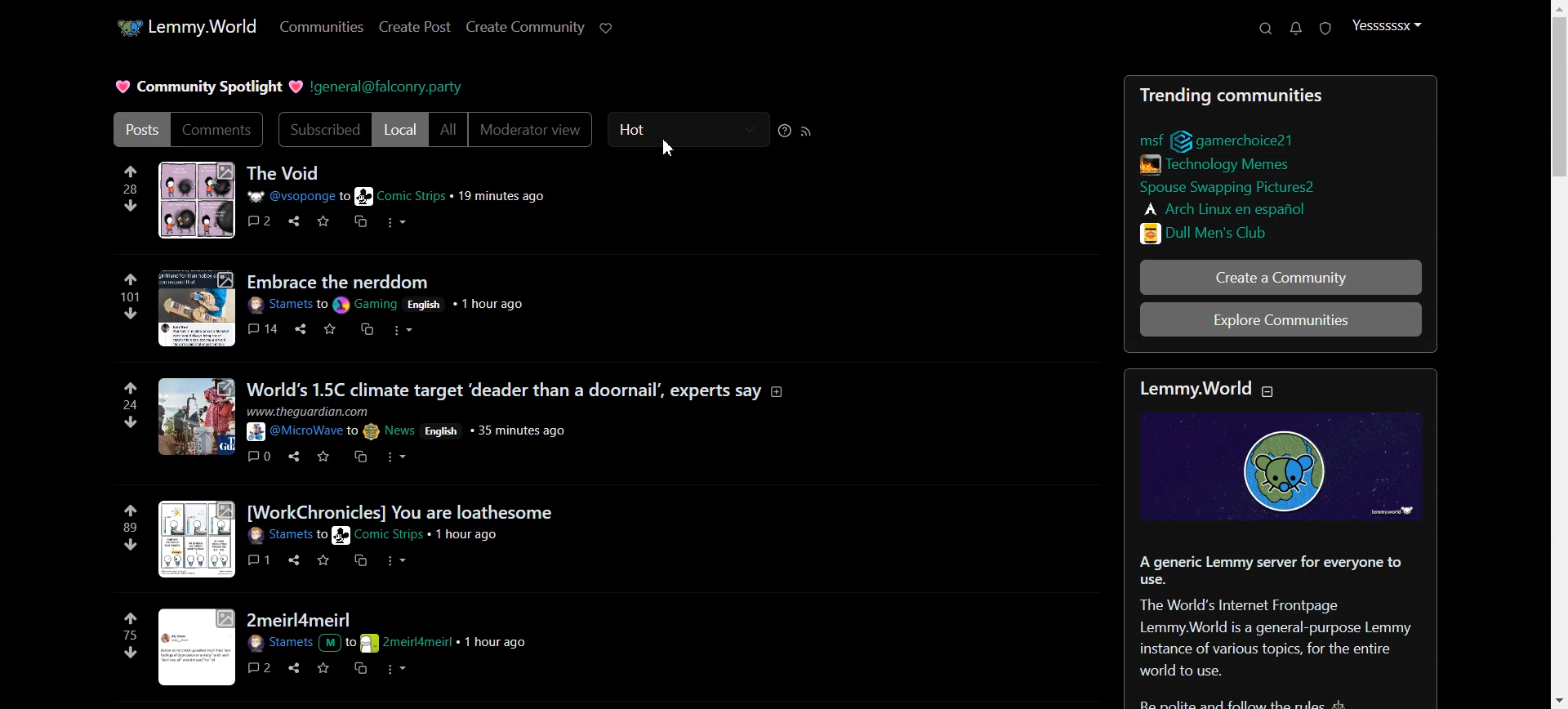  I want to click on cross post, so click(360, 453).